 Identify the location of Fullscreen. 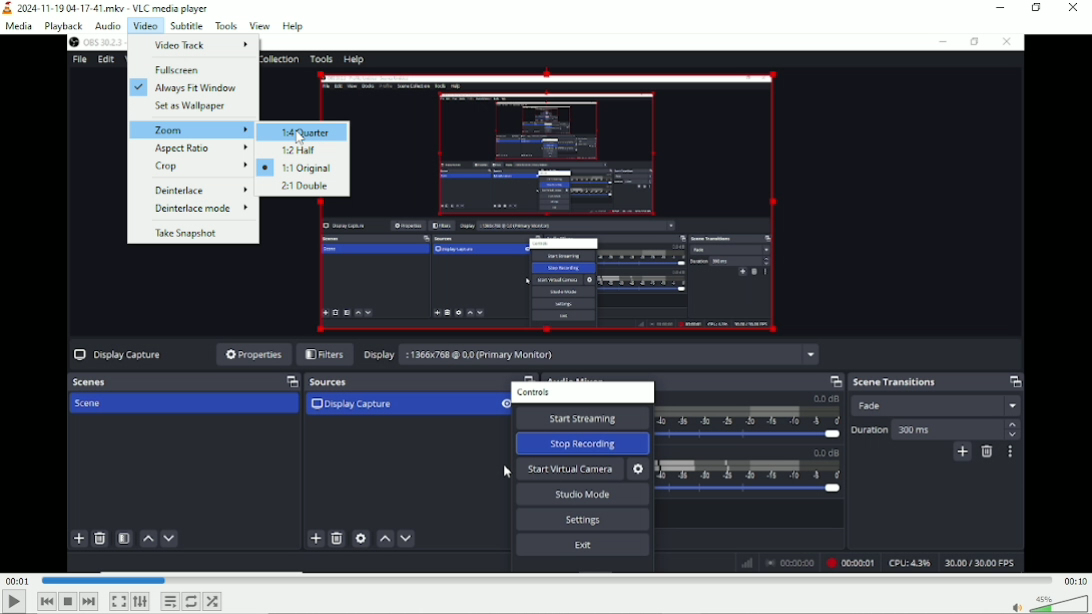
(191, 68).